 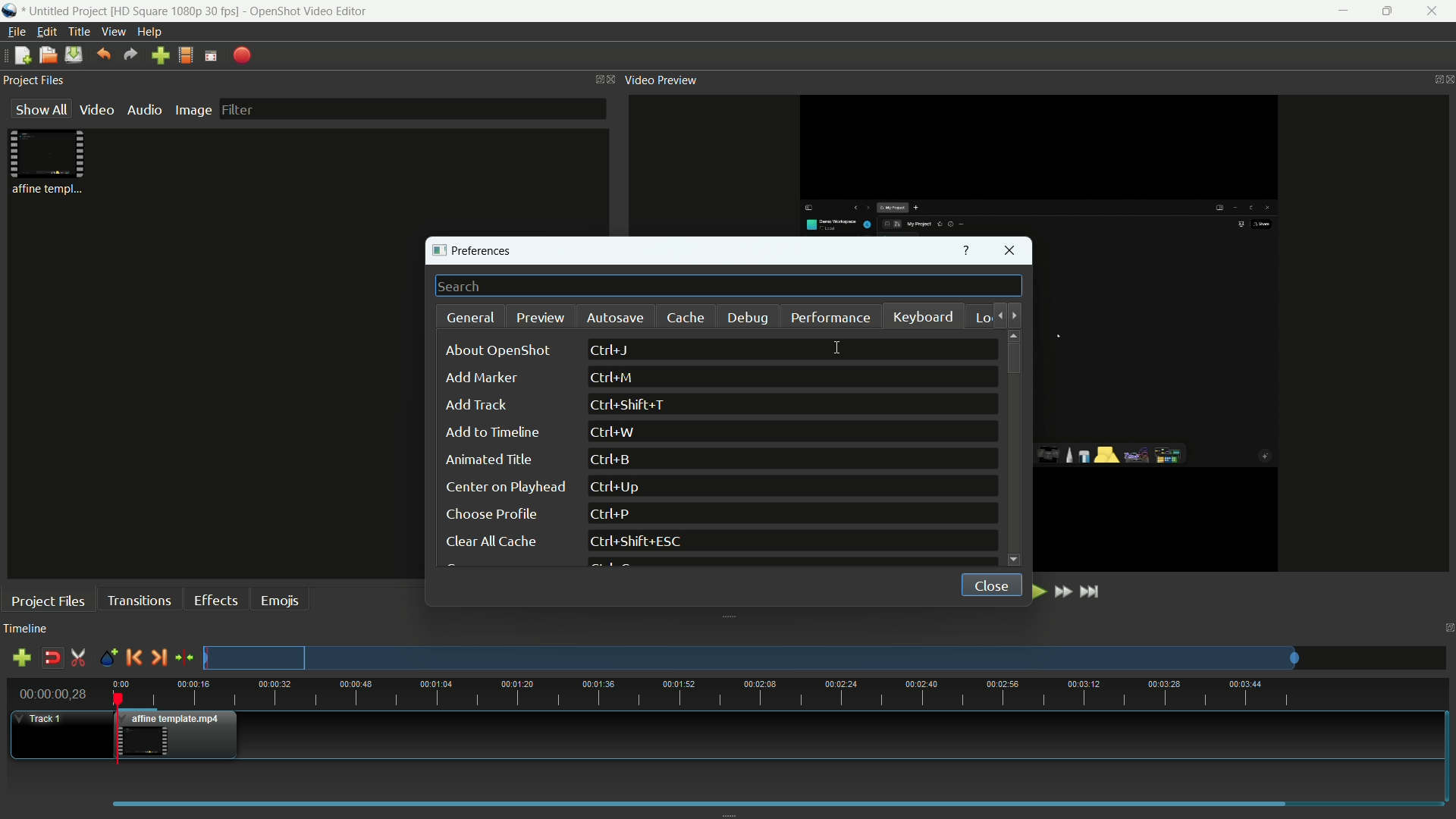 I want to click on center the timeline on the playhead, so click(x=184, y=657).